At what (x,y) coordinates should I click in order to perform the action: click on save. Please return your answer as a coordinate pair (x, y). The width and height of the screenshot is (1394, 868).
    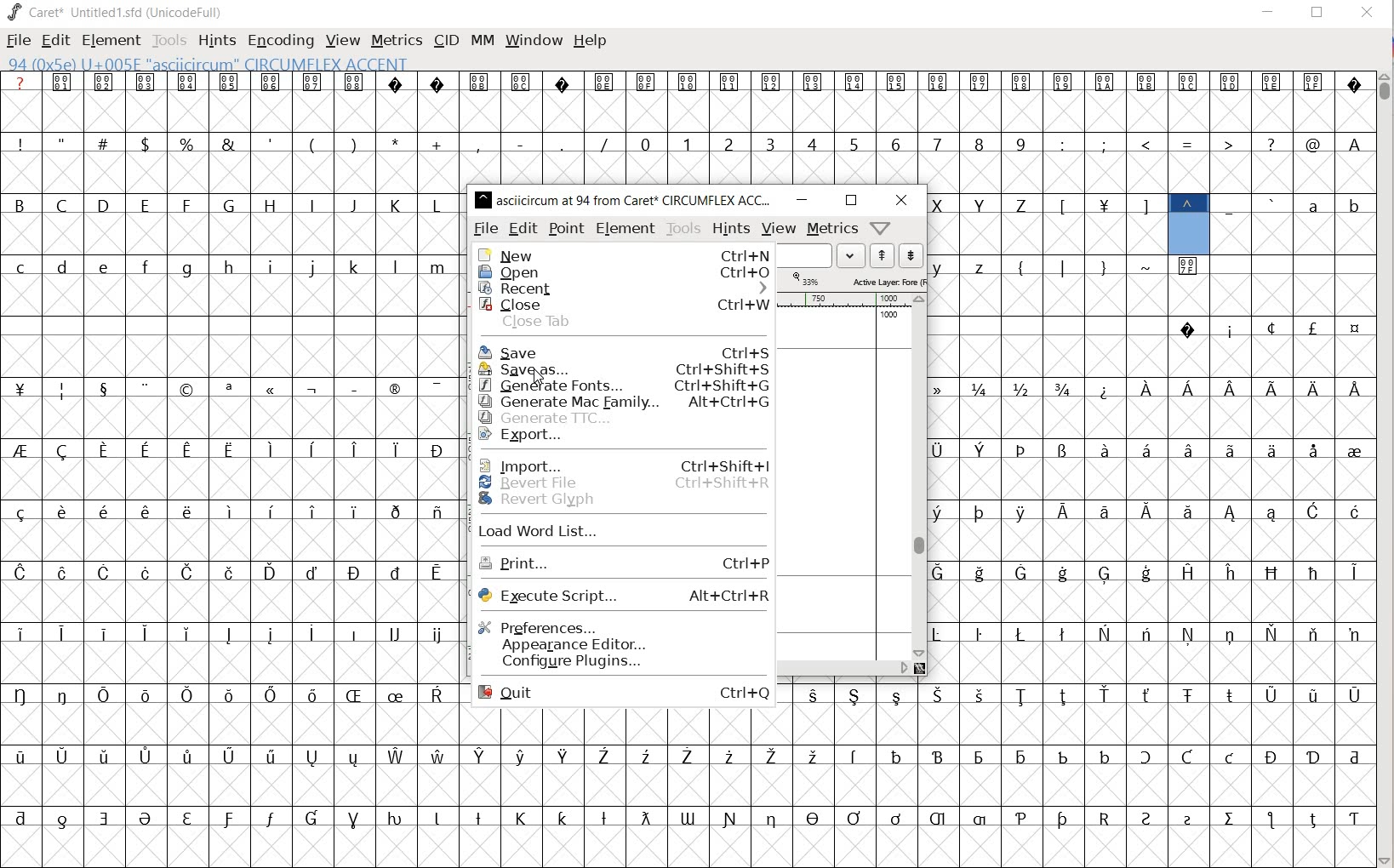
    Looking at the image, I should click on (623, 353).